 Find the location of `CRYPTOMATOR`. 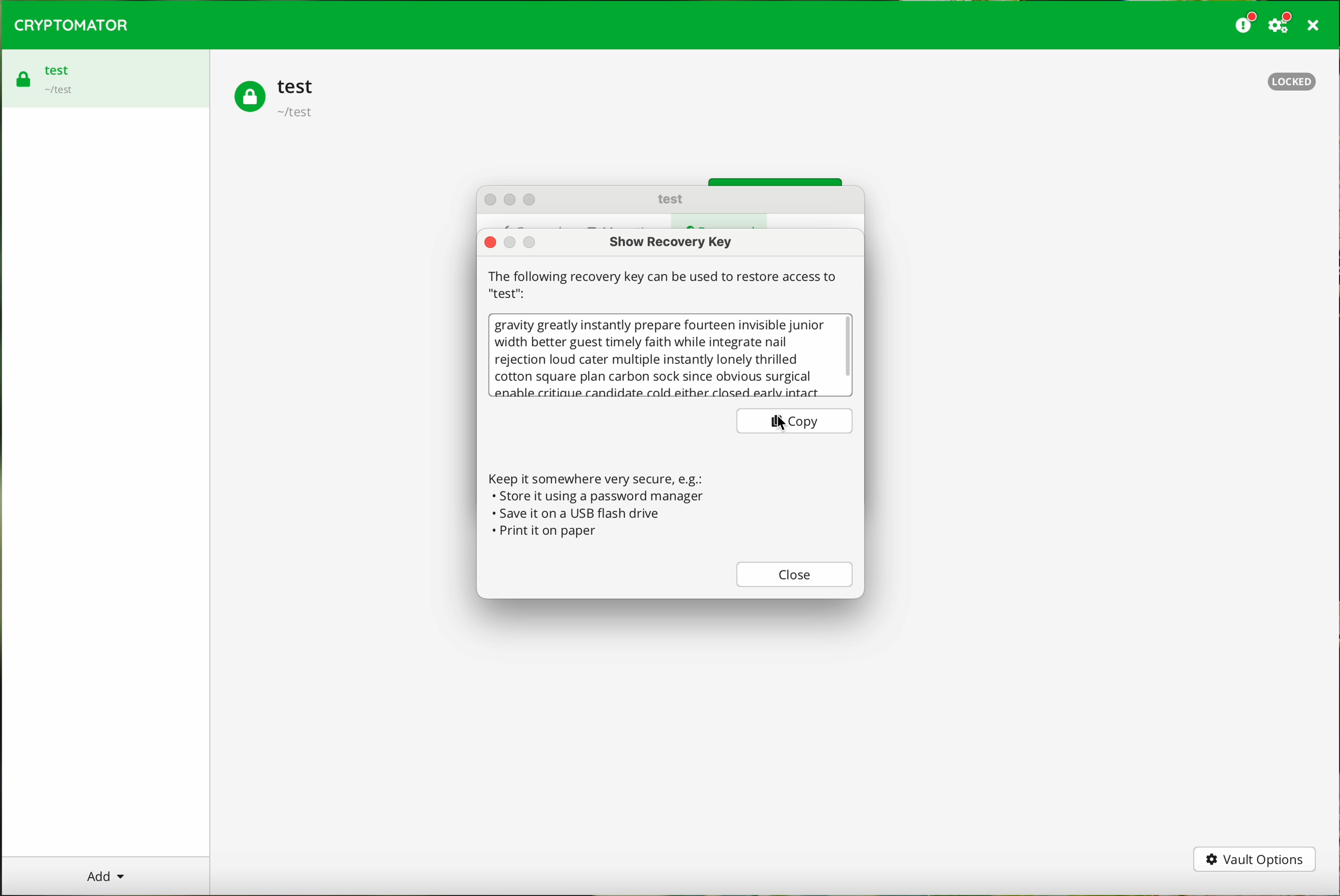

CRYPTOMATOR is located at coordinates (72, 25).